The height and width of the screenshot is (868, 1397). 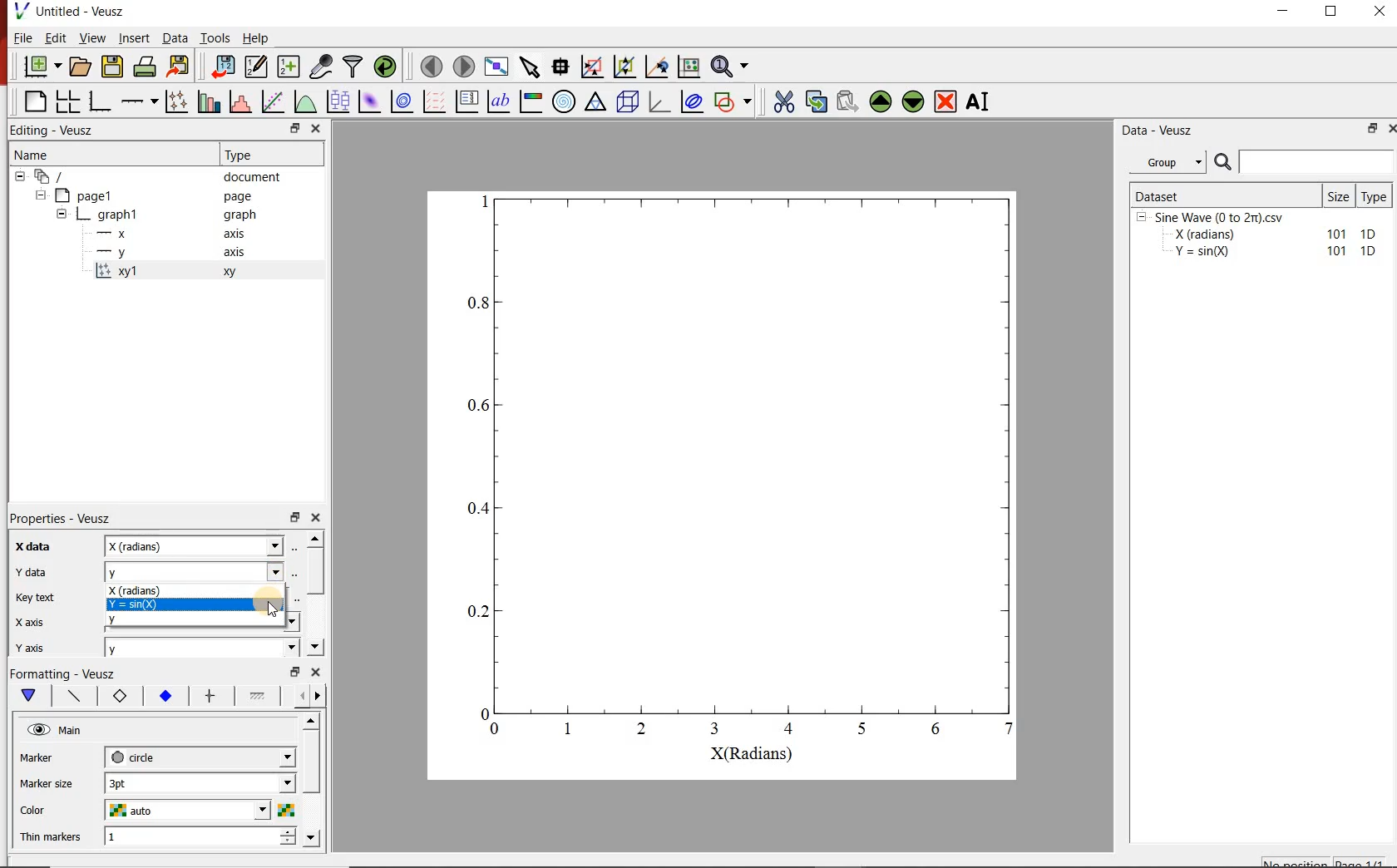 I want to click on Down, so click(x=315, y=647).